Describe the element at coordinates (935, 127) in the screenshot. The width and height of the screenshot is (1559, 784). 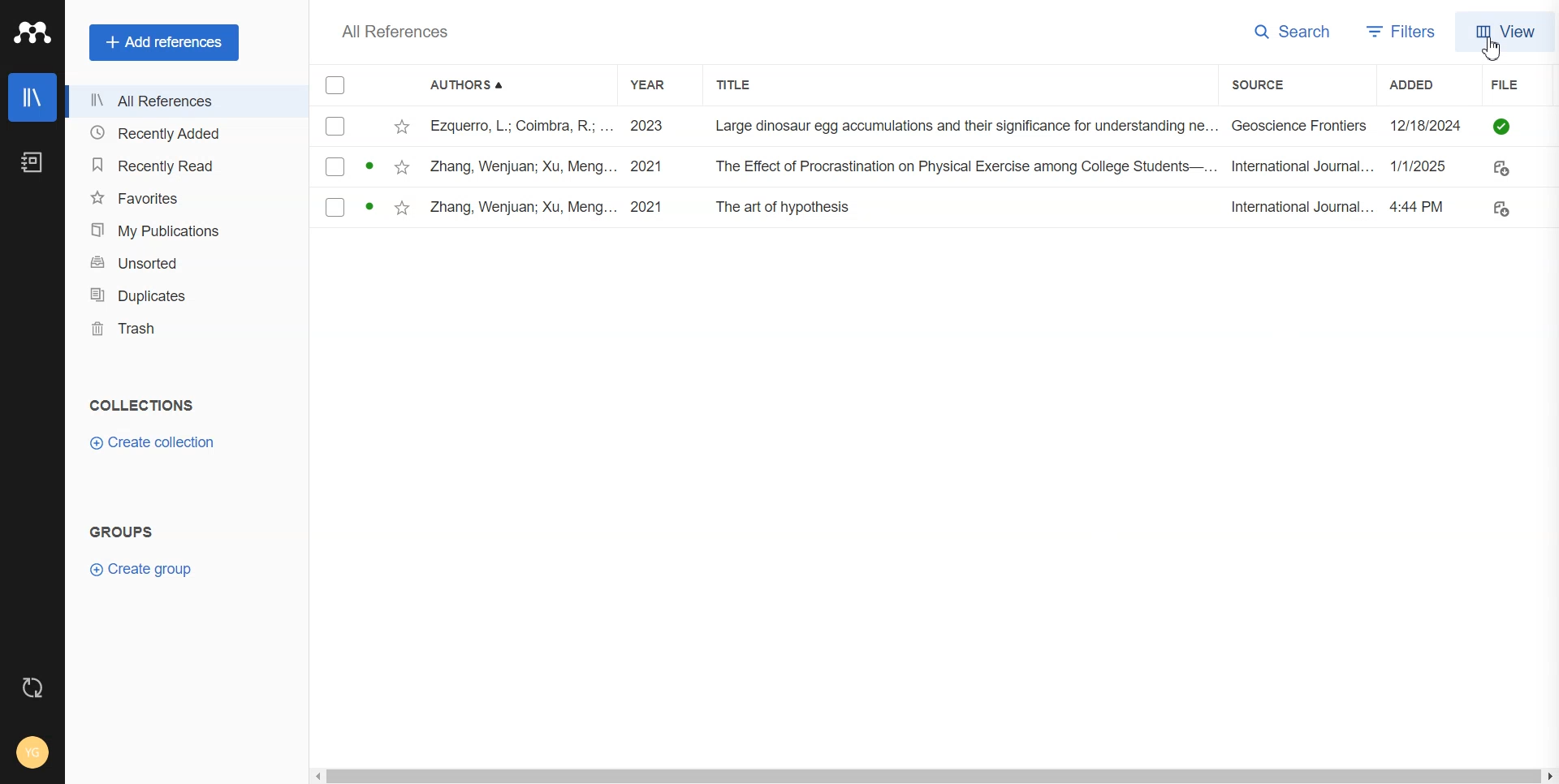
I see `File` at that location.